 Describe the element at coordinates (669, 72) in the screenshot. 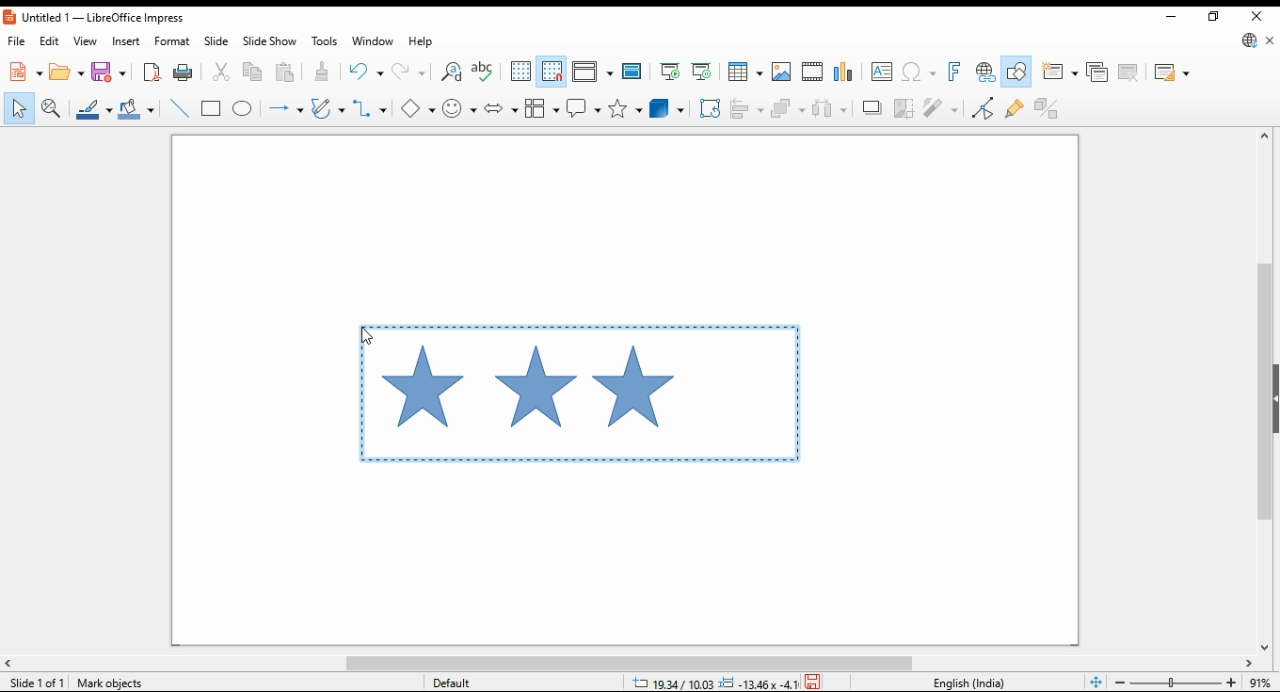

I see `start from first slide` at that location.